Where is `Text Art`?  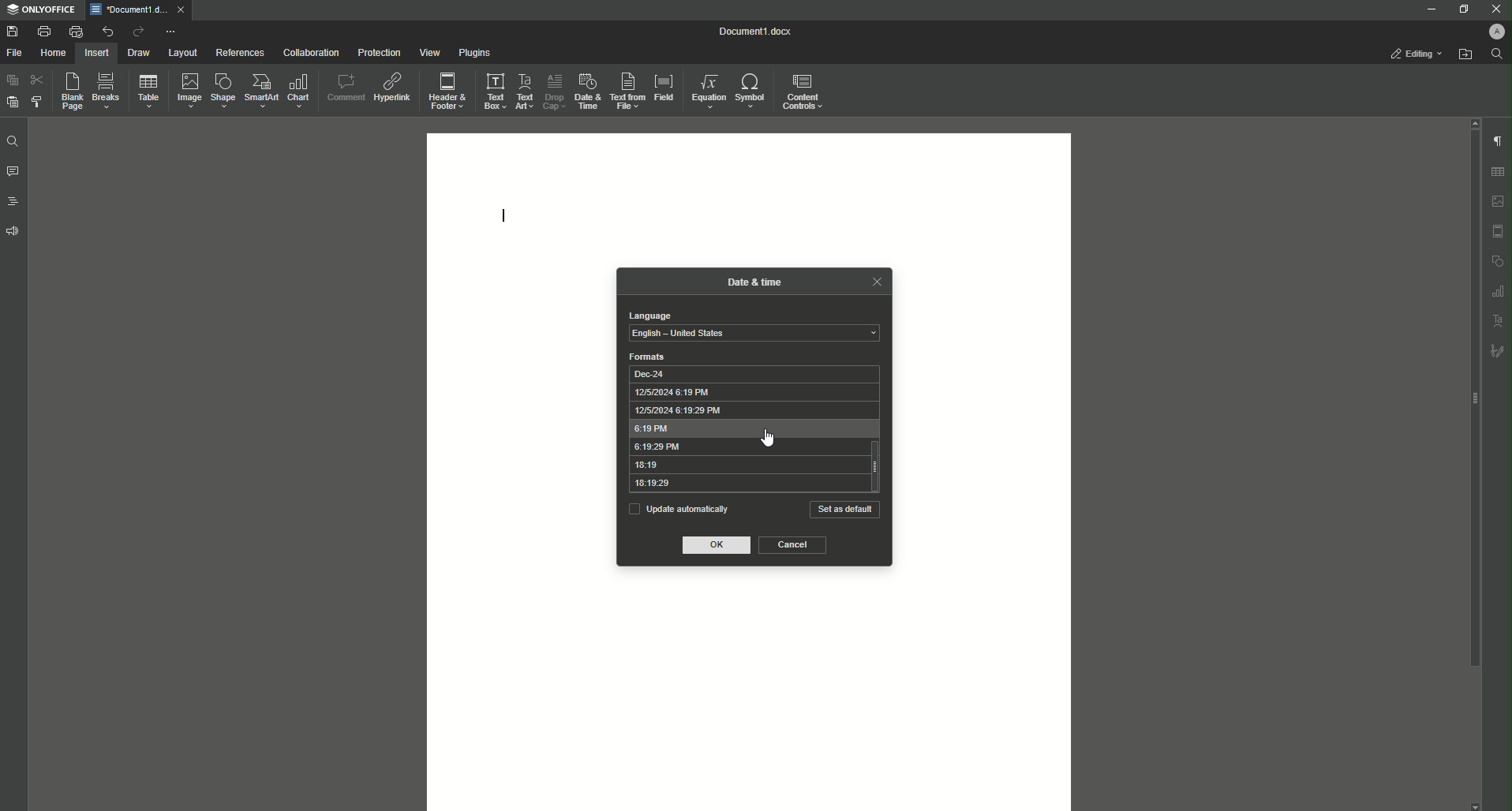 Text Art is located at coordinates (526, 89).